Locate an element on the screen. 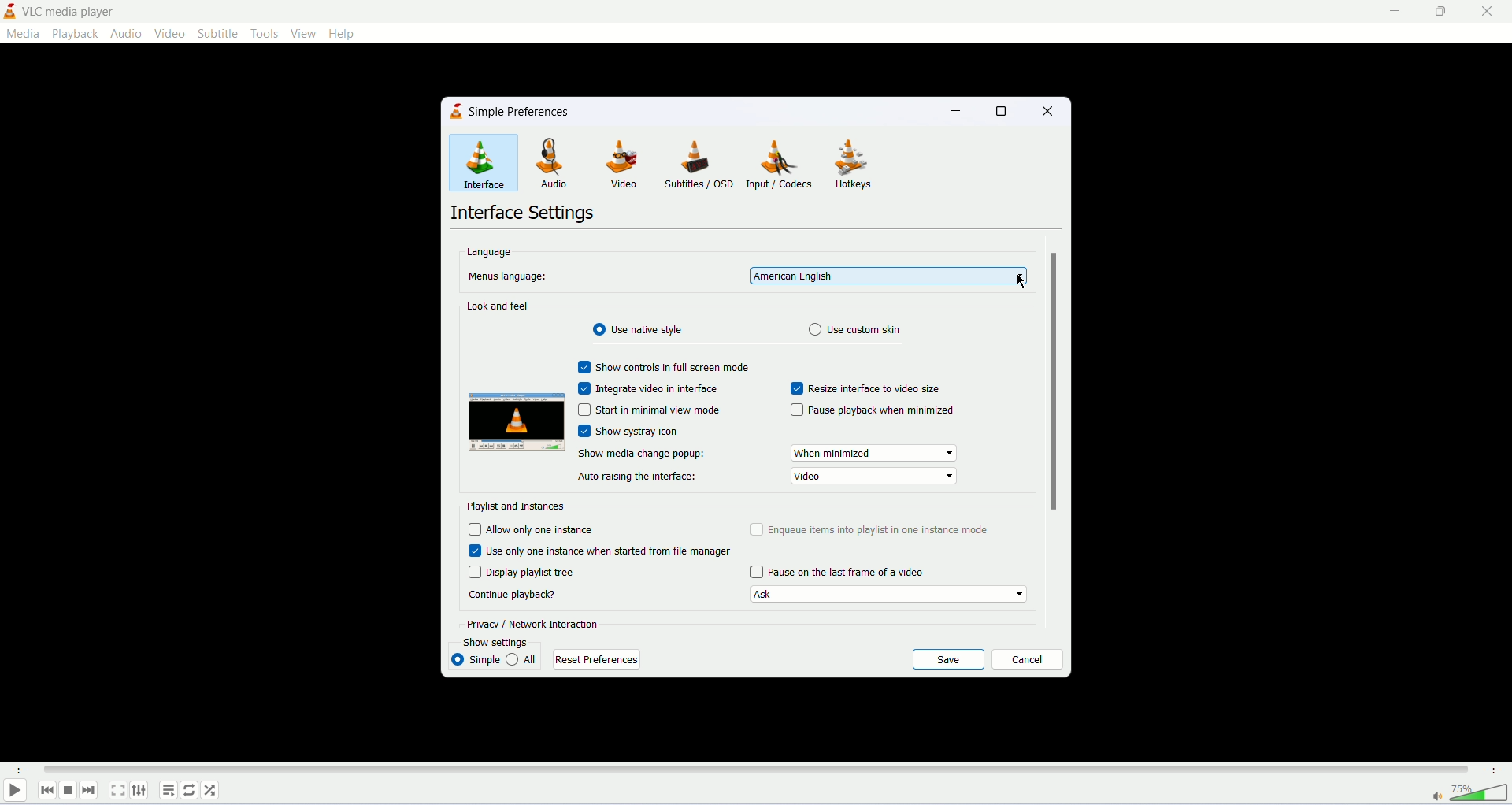 This screenshot has height=805, width=1512. video is located at coordinates (619, 164).